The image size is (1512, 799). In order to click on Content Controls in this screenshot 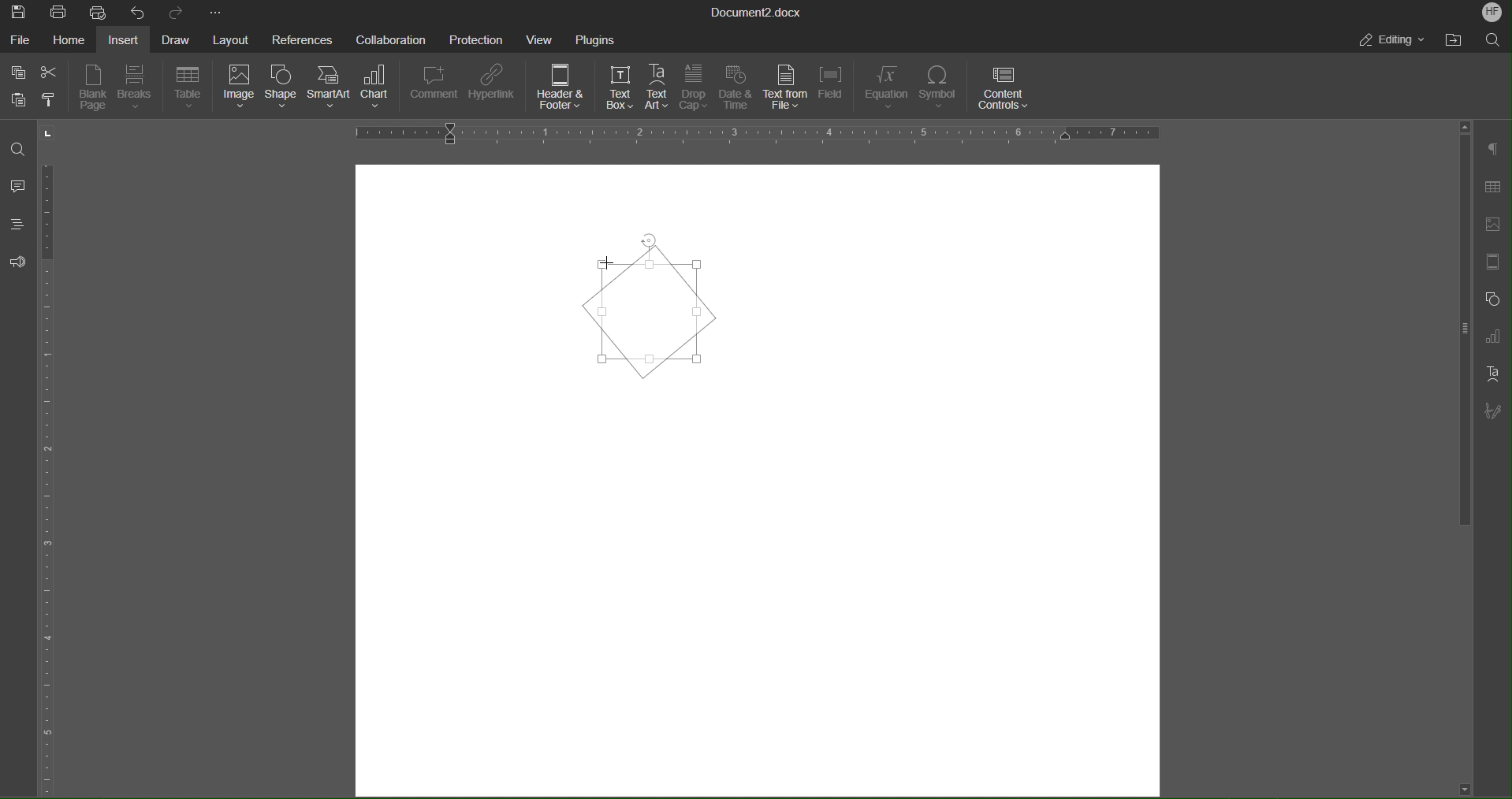, I will do `click(1005, 87)`.